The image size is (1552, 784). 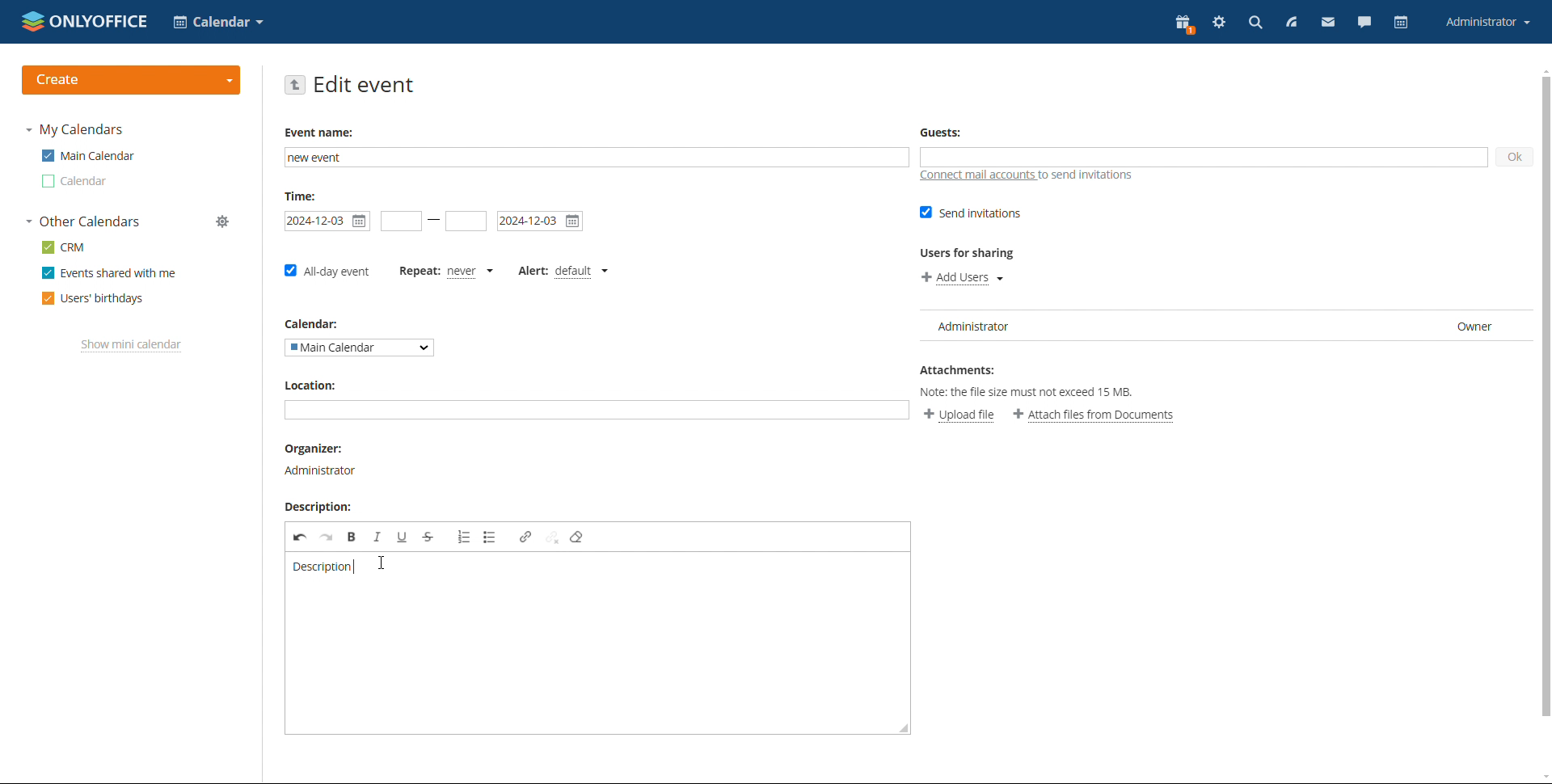 What do you see at coordinates (1203, 157) in the screenshot?
I see `add guests` at bounding box center [1203, 157].